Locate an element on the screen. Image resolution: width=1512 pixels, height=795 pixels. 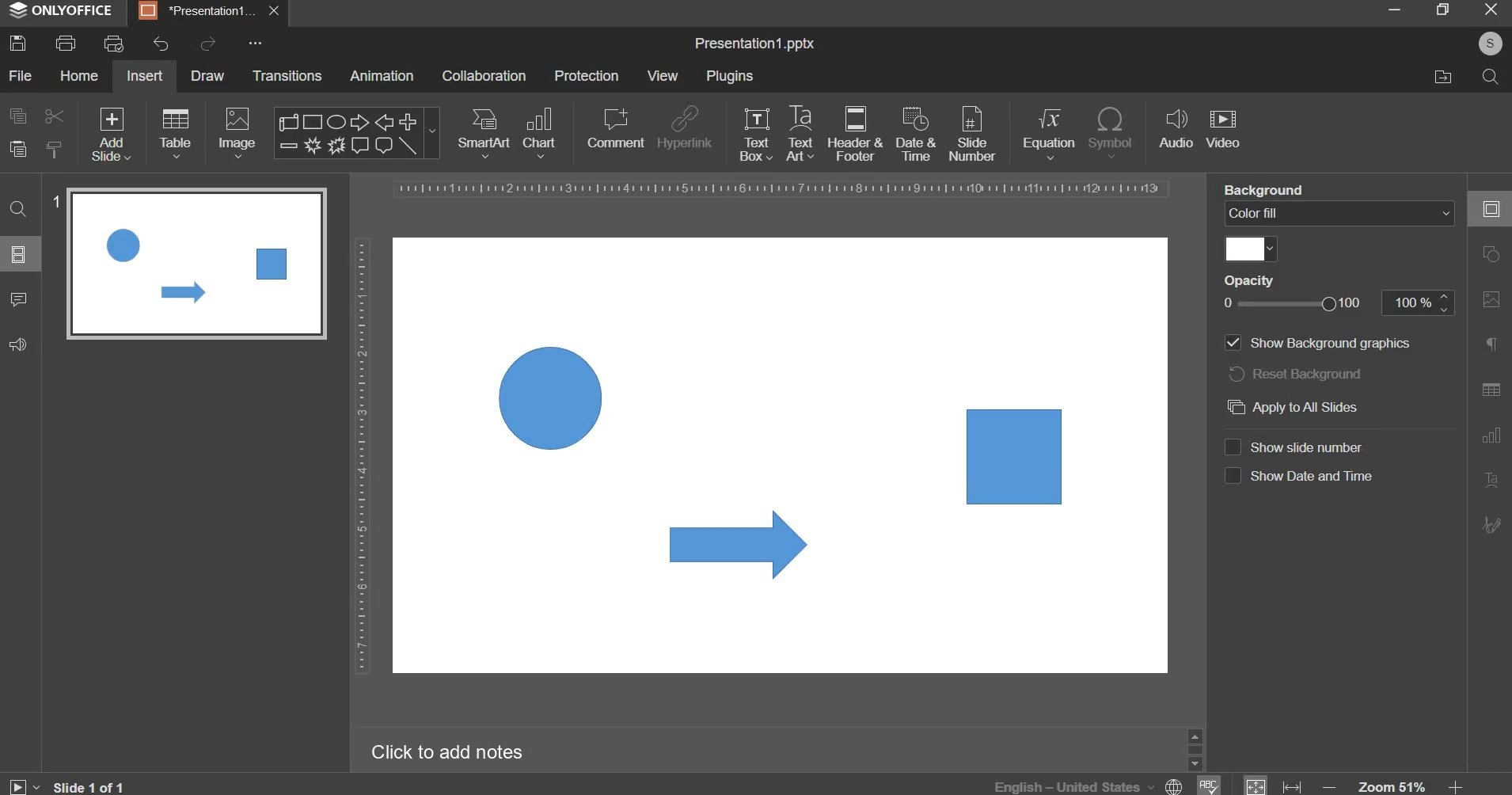
video is located at coordinates (1223, 130).